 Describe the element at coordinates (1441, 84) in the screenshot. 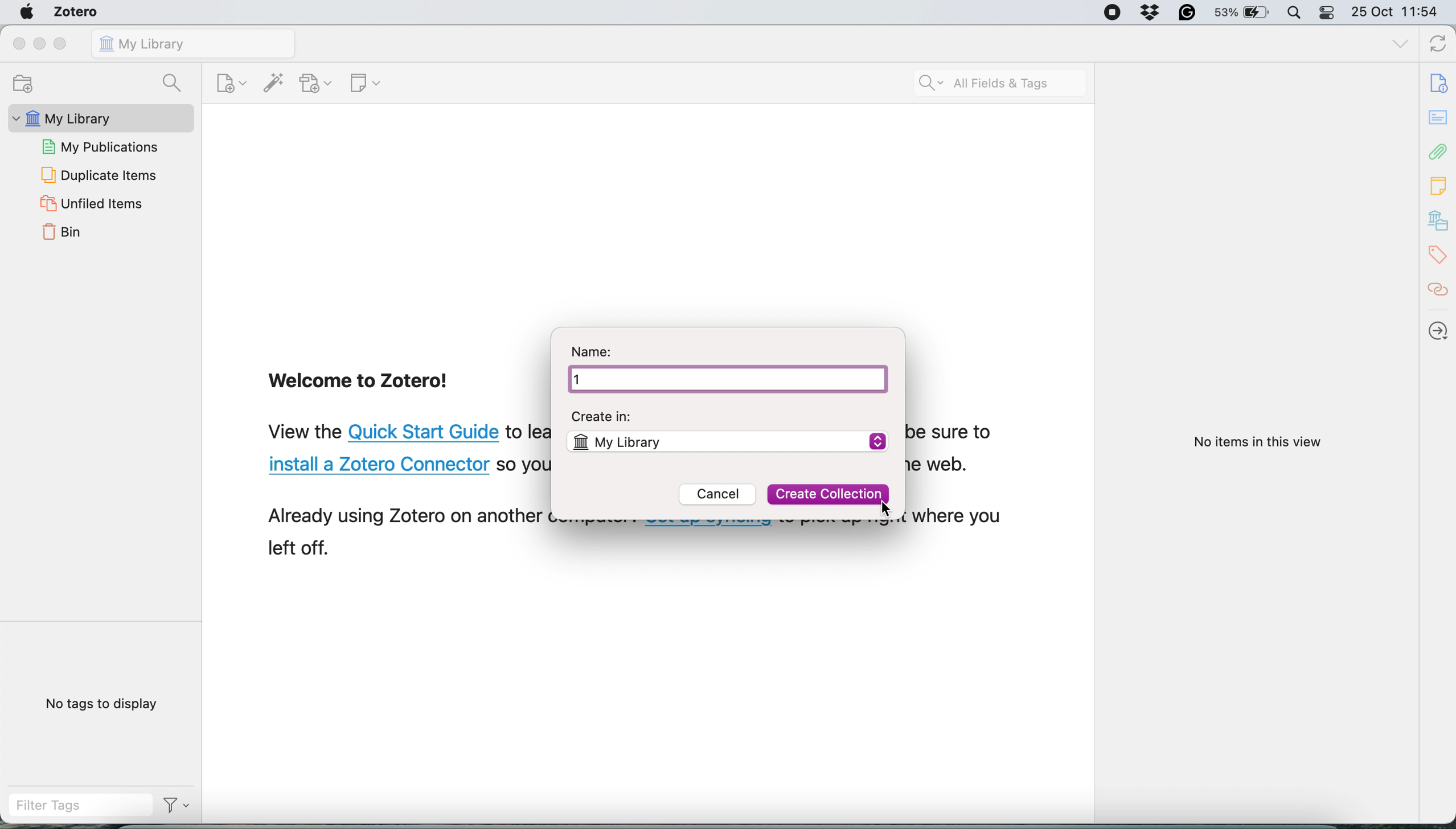

I see `document` at that location.